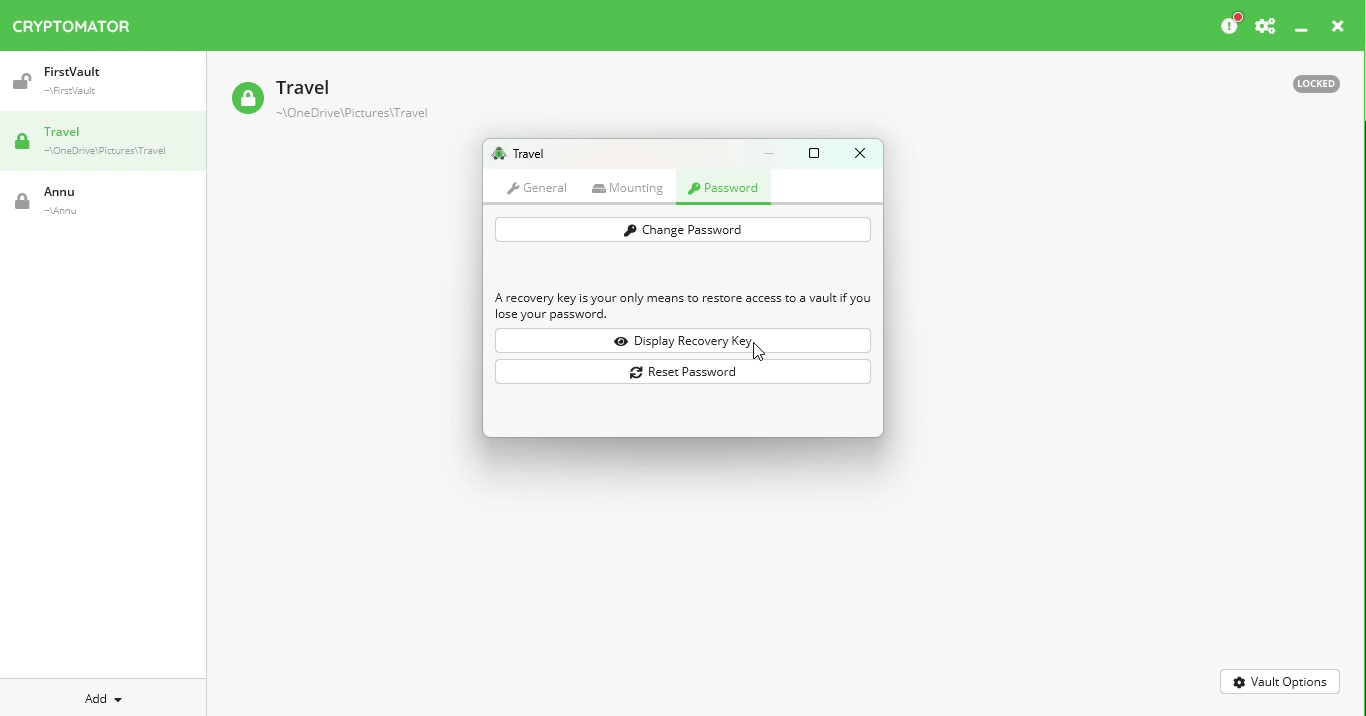 Image resolution: width=1366 pixels, height=716 pixels. Describe the element at coordinates (684, 307) in the screenshot. I see `Recovery key information` at that location.